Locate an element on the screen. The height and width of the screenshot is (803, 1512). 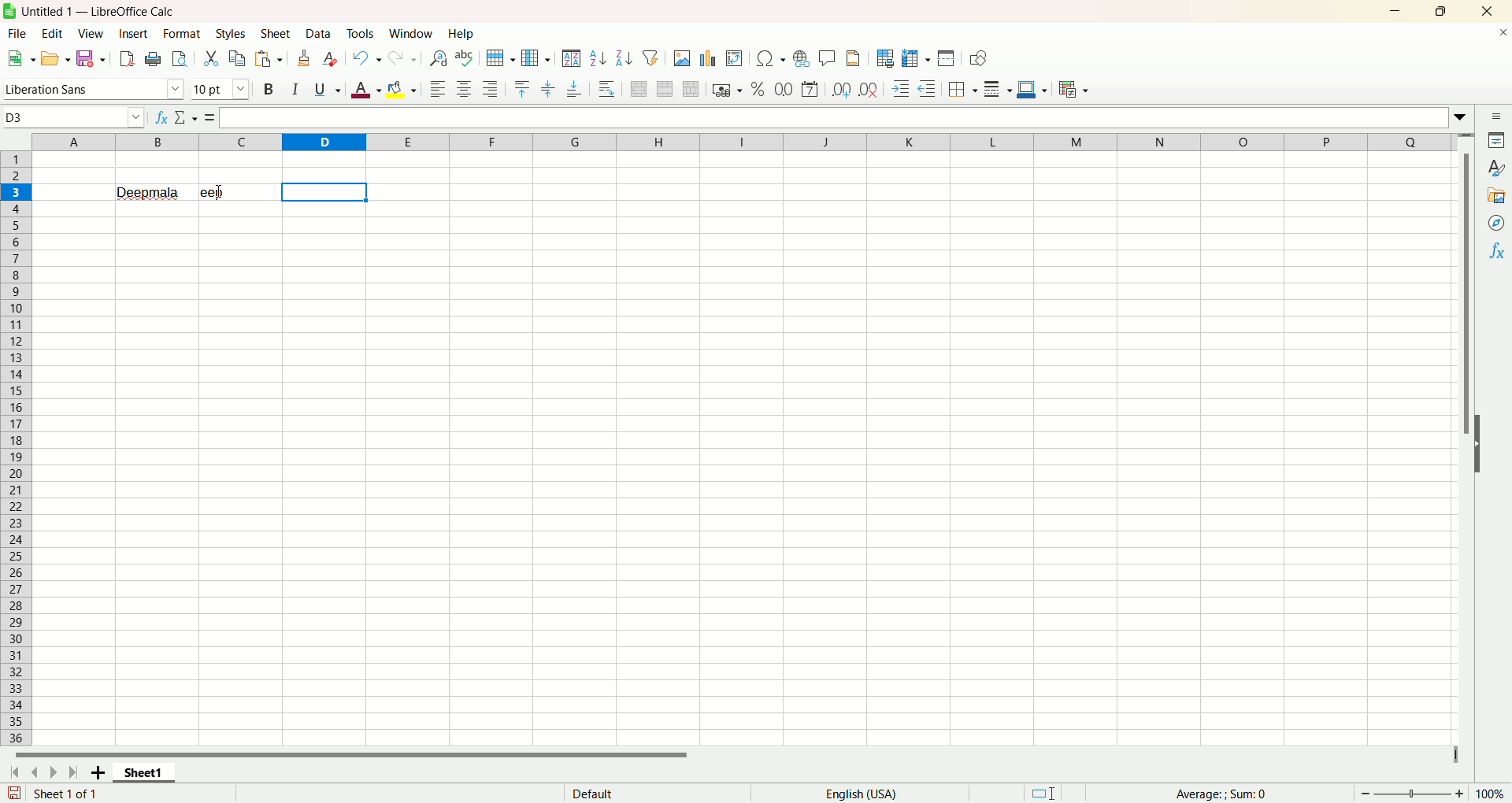
Bold is located at coordinates (271, 89).